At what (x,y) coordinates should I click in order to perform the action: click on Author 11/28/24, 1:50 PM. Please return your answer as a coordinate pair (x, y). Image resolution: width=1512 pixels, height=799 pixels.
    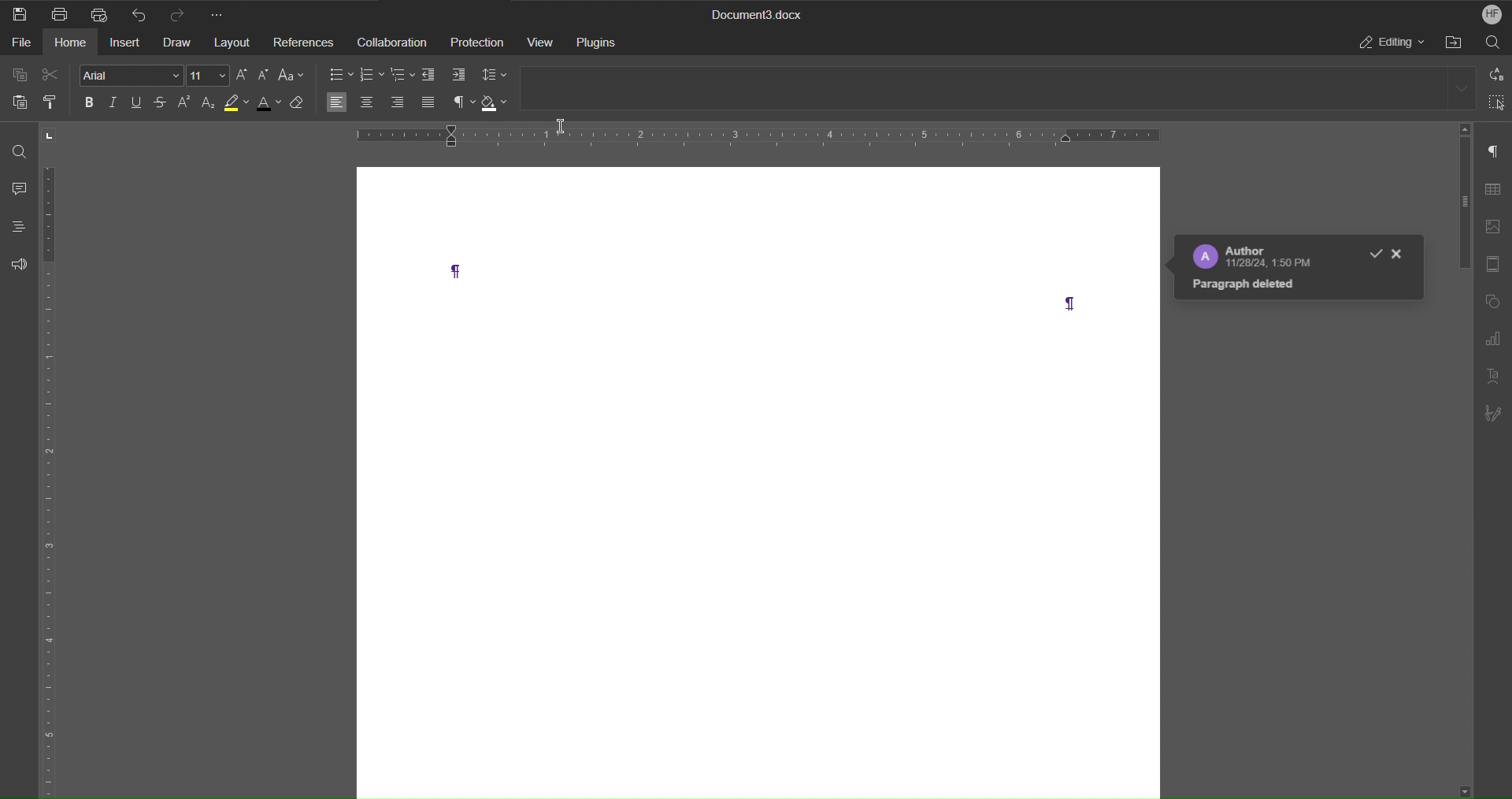
    Looking at the image, I should click on (1271, 254).